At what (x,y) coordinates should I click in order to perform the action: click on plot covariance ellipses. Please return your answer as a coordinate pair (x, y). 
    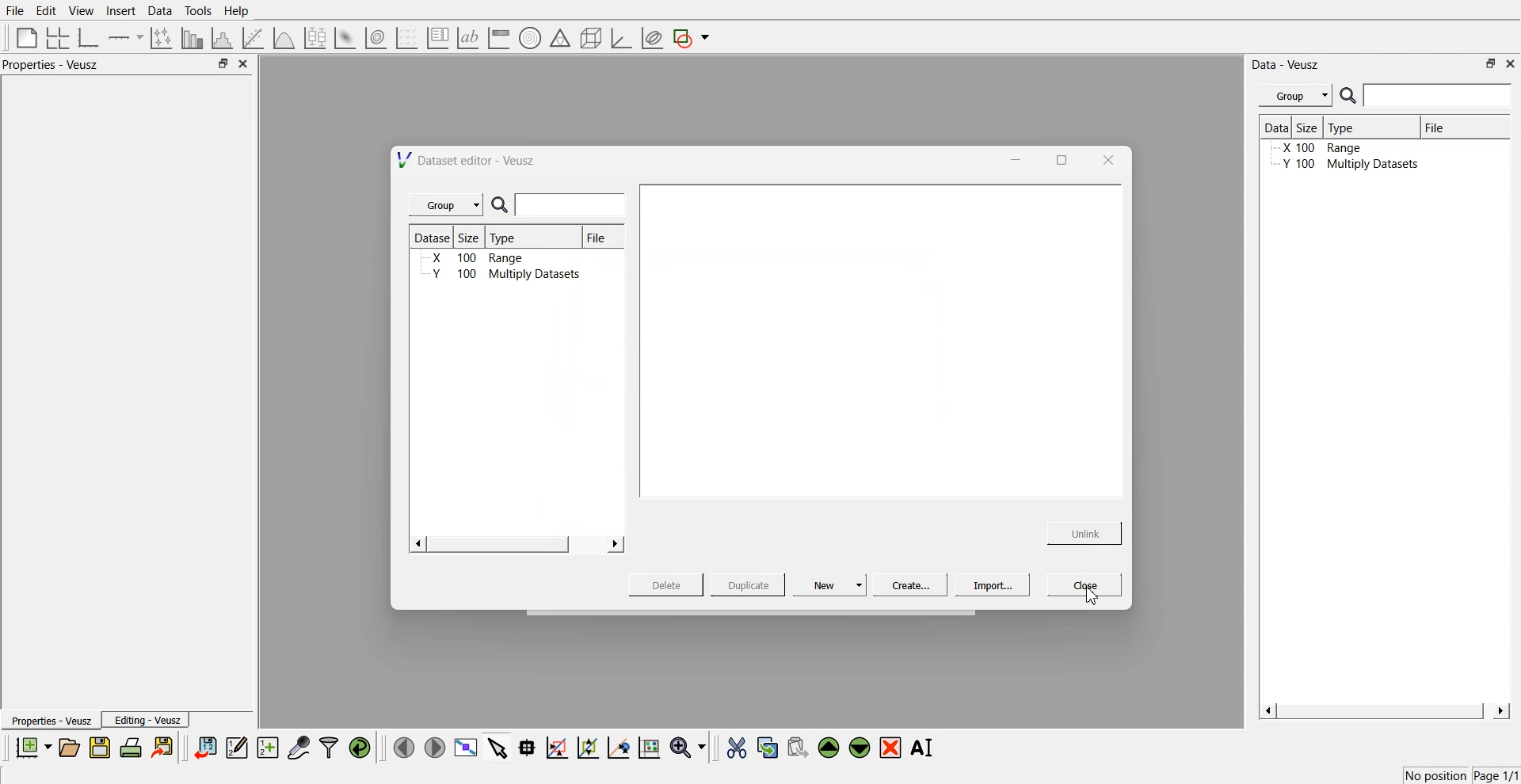
    Looking at the image, I should click on (651, 39).